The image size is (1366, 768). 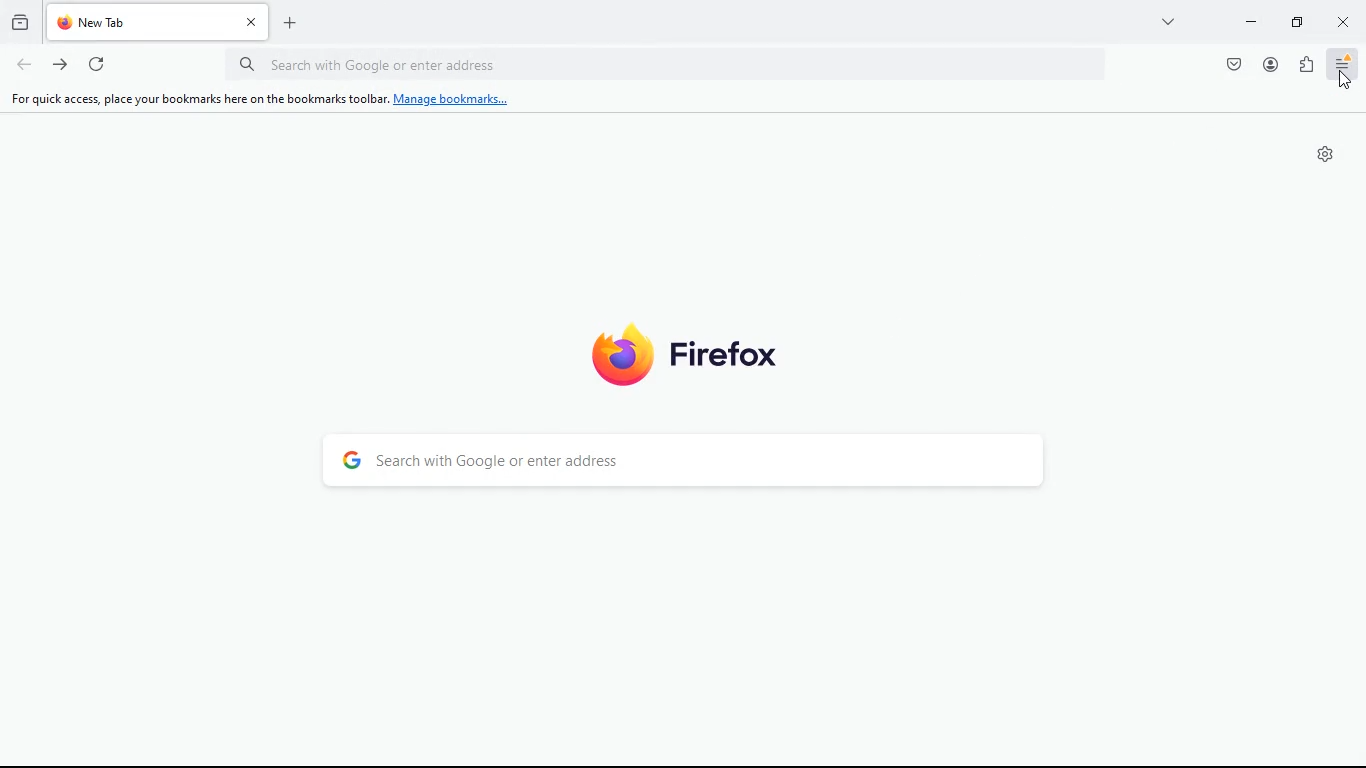 What do you see at coordinates (20, 20) in the screenshot?
I see `history` at bounding box center [20, 20].